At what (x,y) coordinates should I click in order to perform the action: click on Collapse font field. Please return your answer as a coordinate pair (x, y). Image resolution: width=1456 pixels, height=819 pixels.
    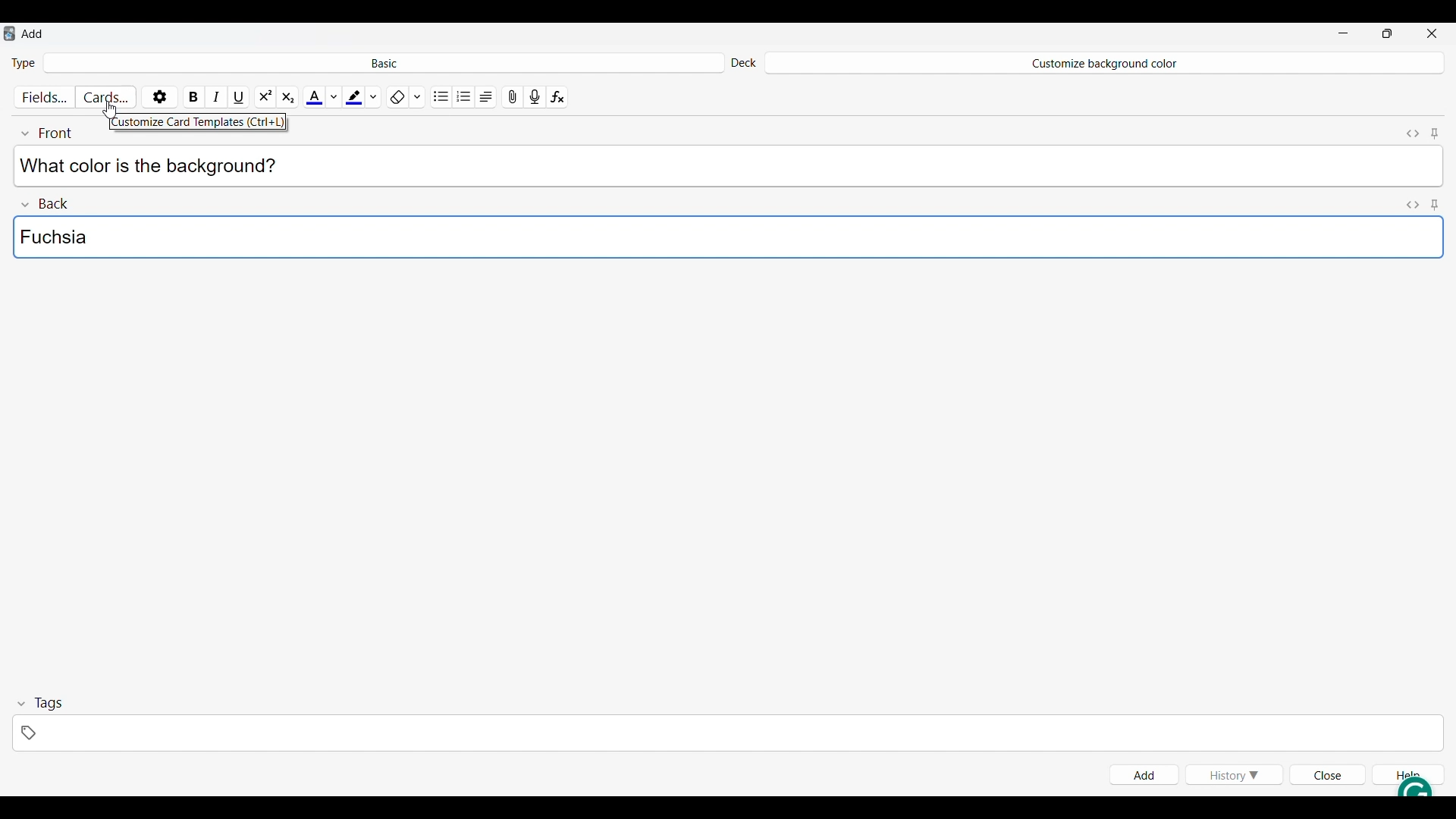
    Looking at the image, I should click on (46, 131).